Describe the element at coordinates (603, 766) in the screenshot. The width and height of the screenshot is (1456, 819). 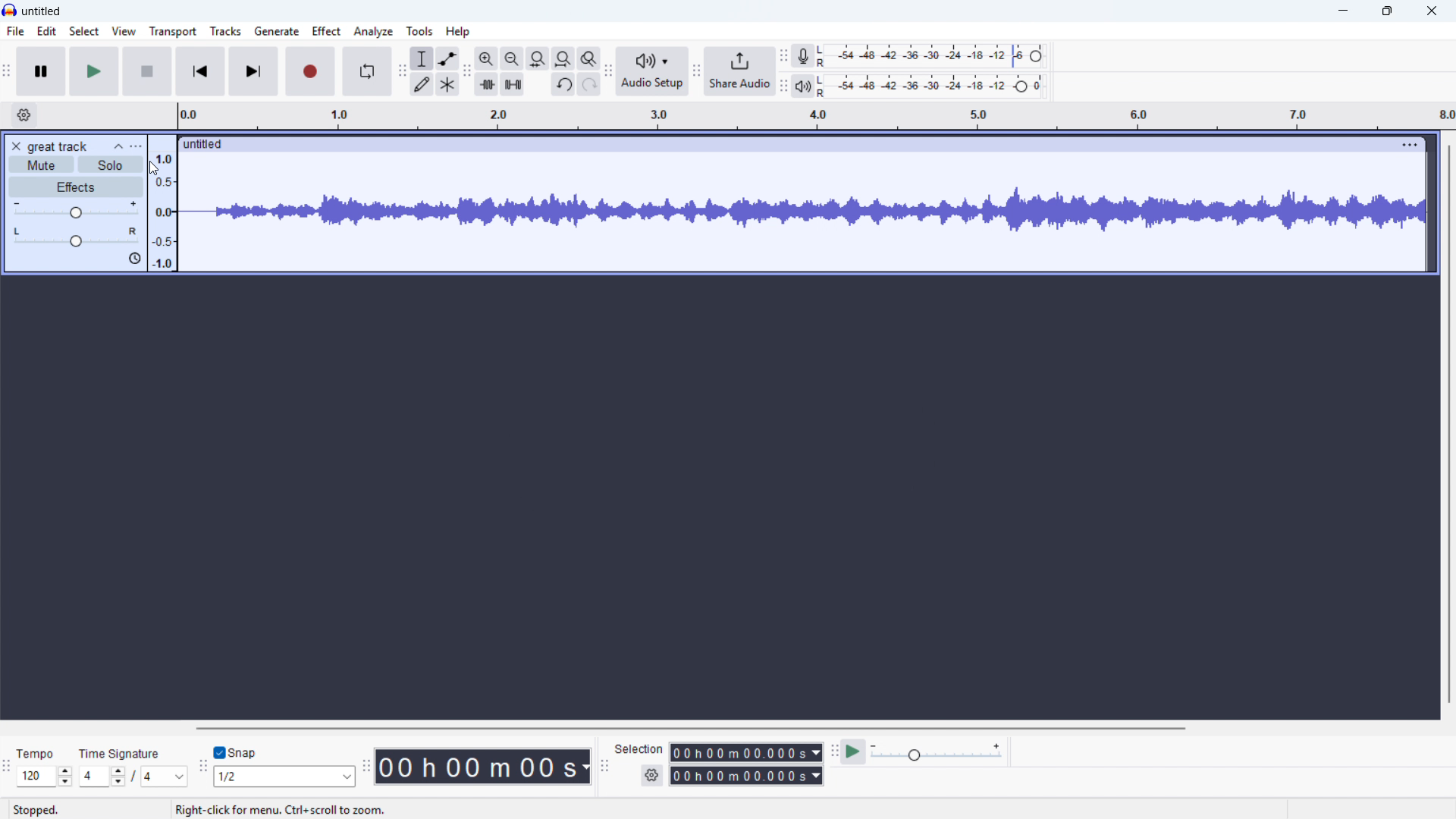
I see `Selection toolbar ` at that location.